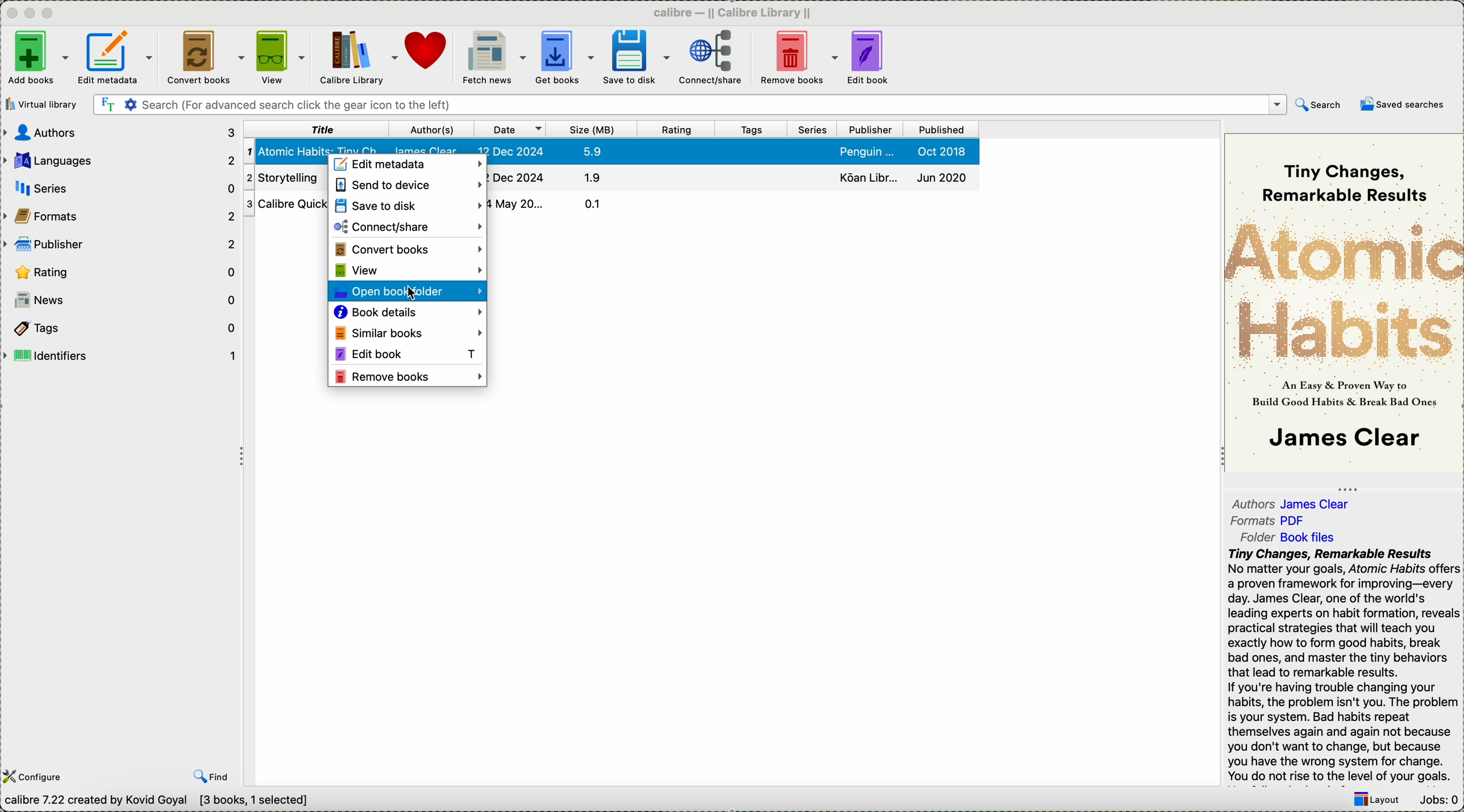  Describe the element at coordinates (315, 129) in the screenshot. I see `title` at that location.